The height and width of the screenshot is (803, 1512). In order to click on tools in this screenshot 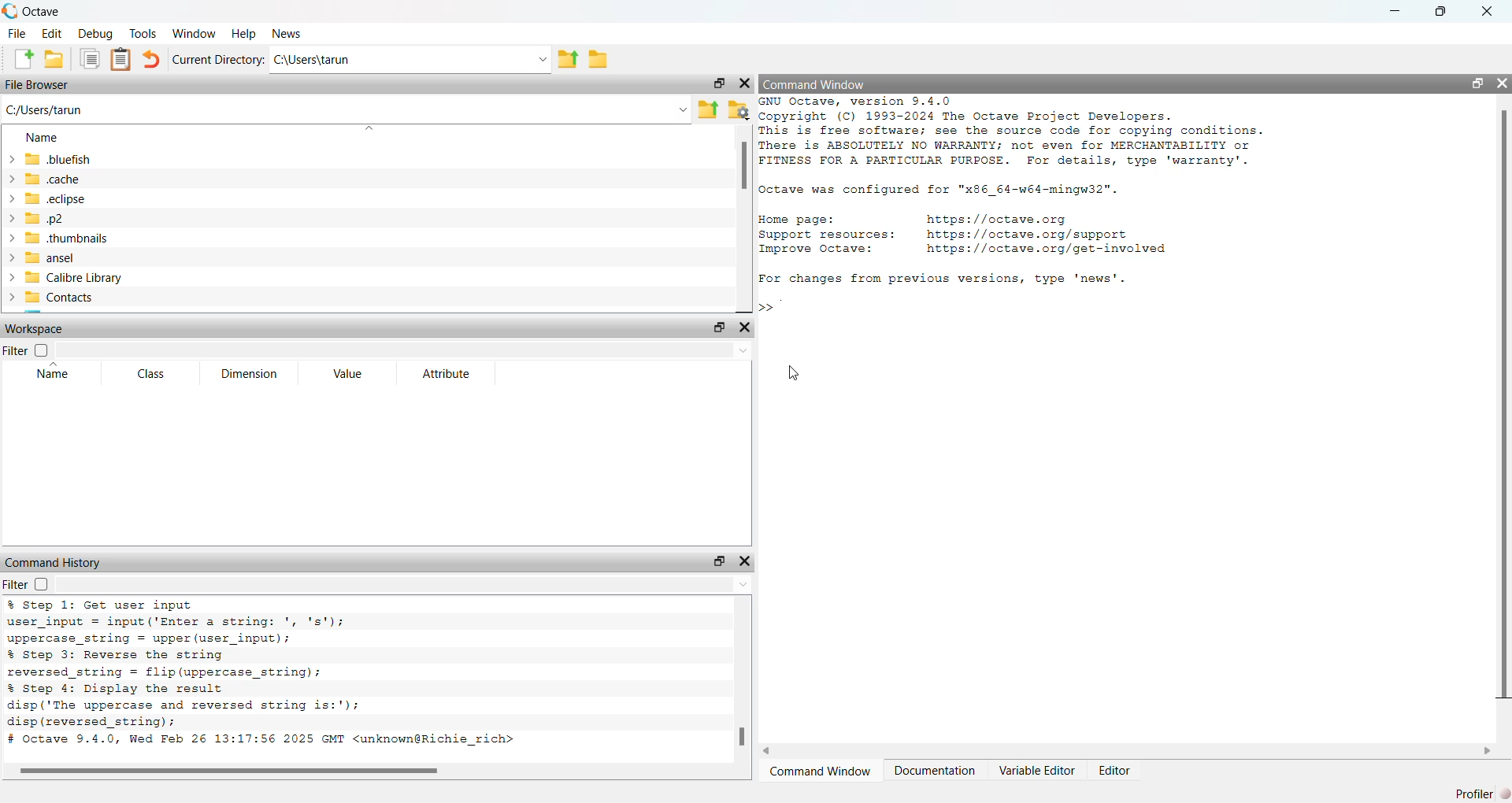, I will do `click(146, 33)`.